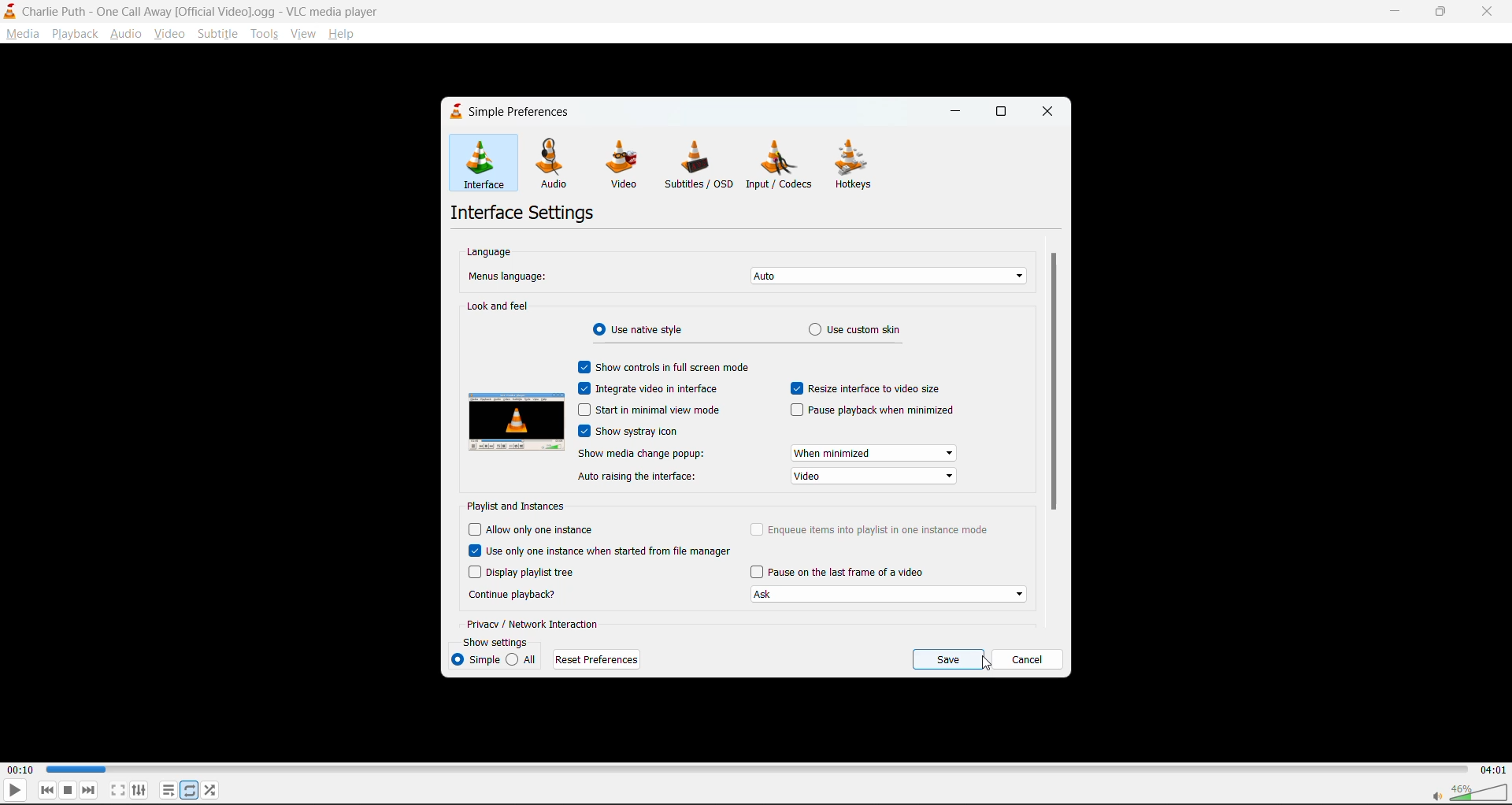  I want to click on show media change popup, so click(641, 456).